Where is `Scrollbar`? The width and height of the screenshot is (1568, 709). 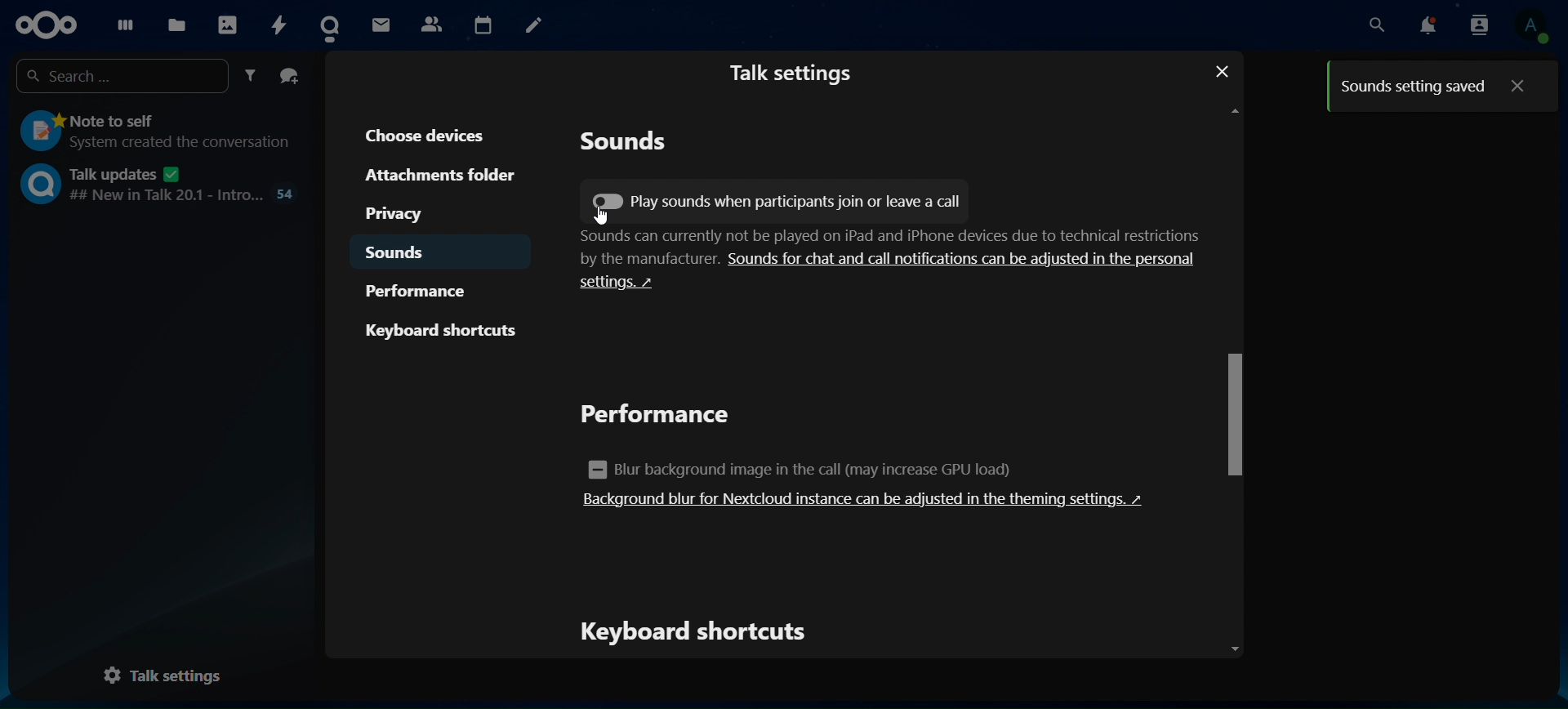 Scrollbar is located at coordinates (1233, 375).